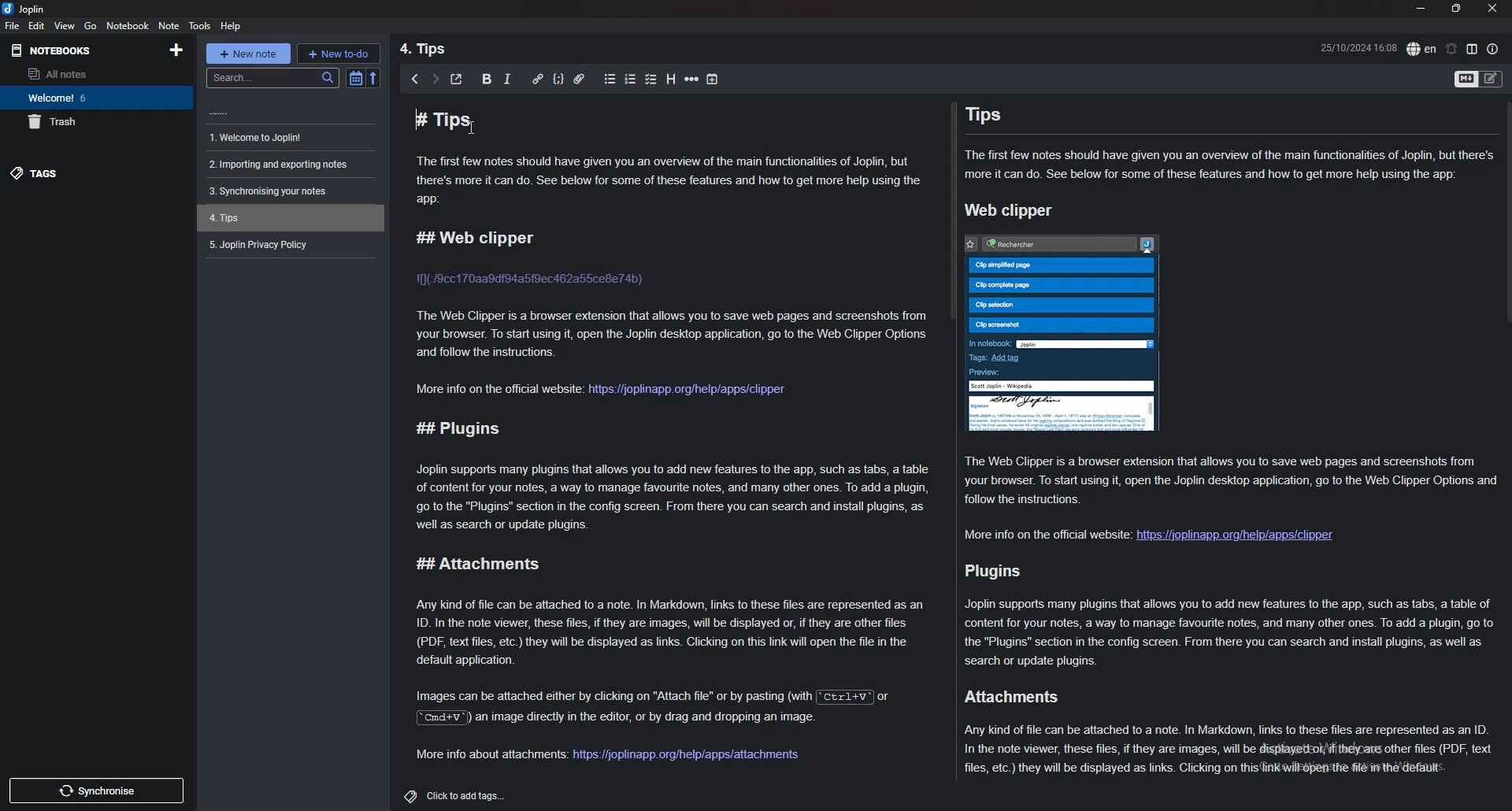 The image size is (1512, 811). What do you see at coordinates (1421, 48) in the screenshot?
I see `spell check` at bounding box center [1421, 48].